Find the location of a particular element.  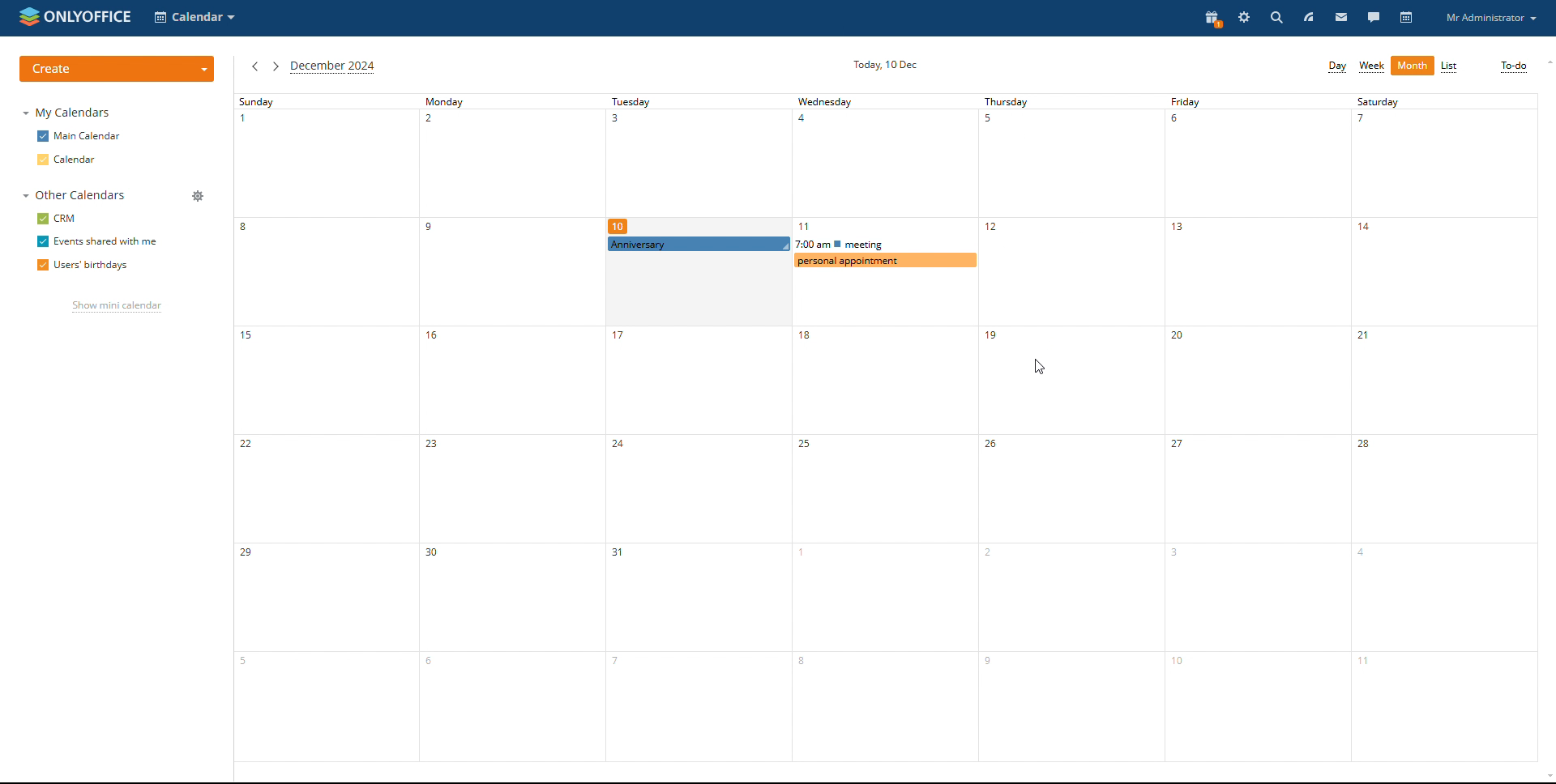

to-do is located at coordinates (1513, 67).